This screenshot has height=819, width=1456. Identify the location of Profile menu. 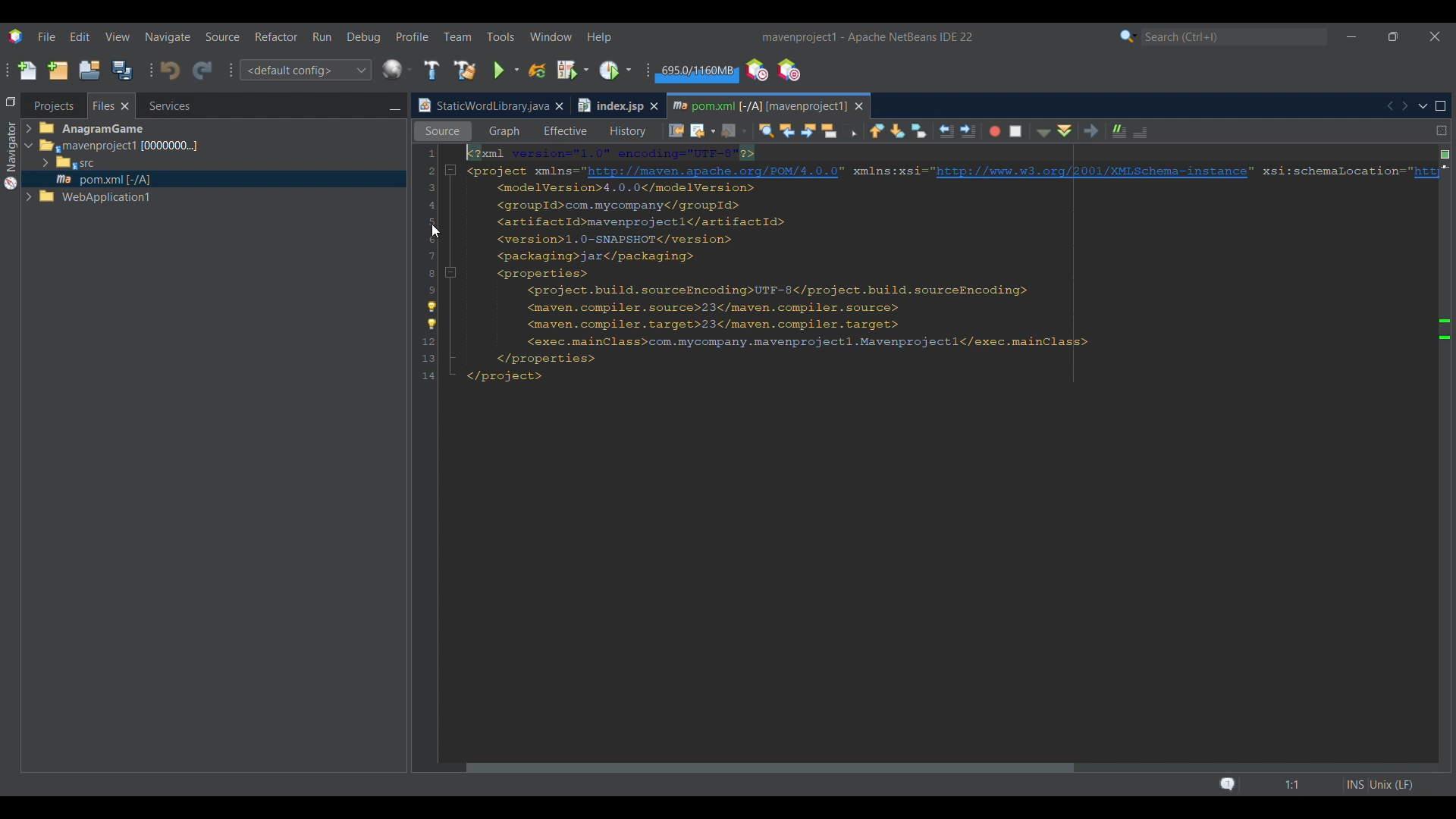
(413, 36).